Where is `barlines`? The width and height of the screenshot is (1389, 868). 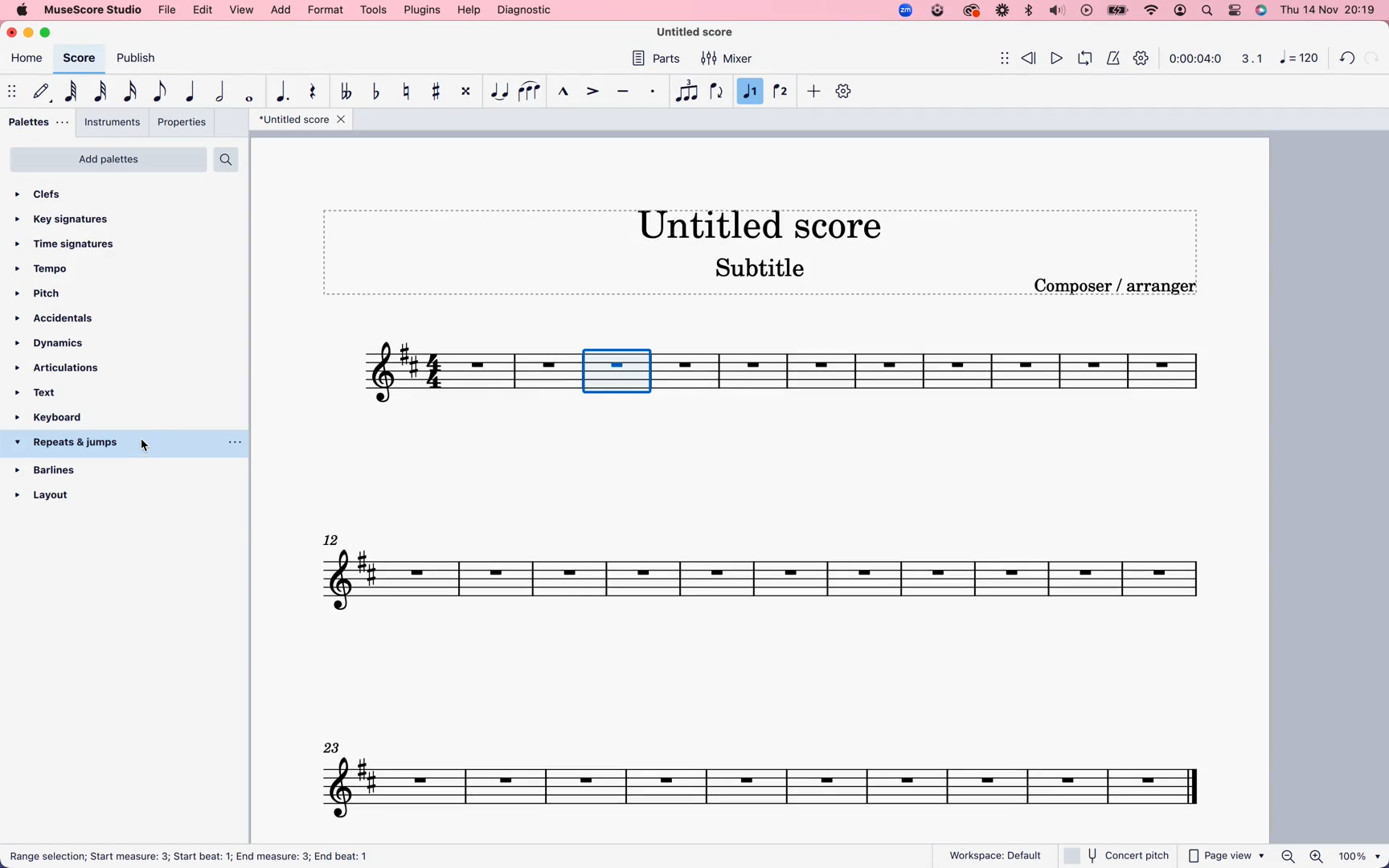
barlines is located at coordinates (72, 468).